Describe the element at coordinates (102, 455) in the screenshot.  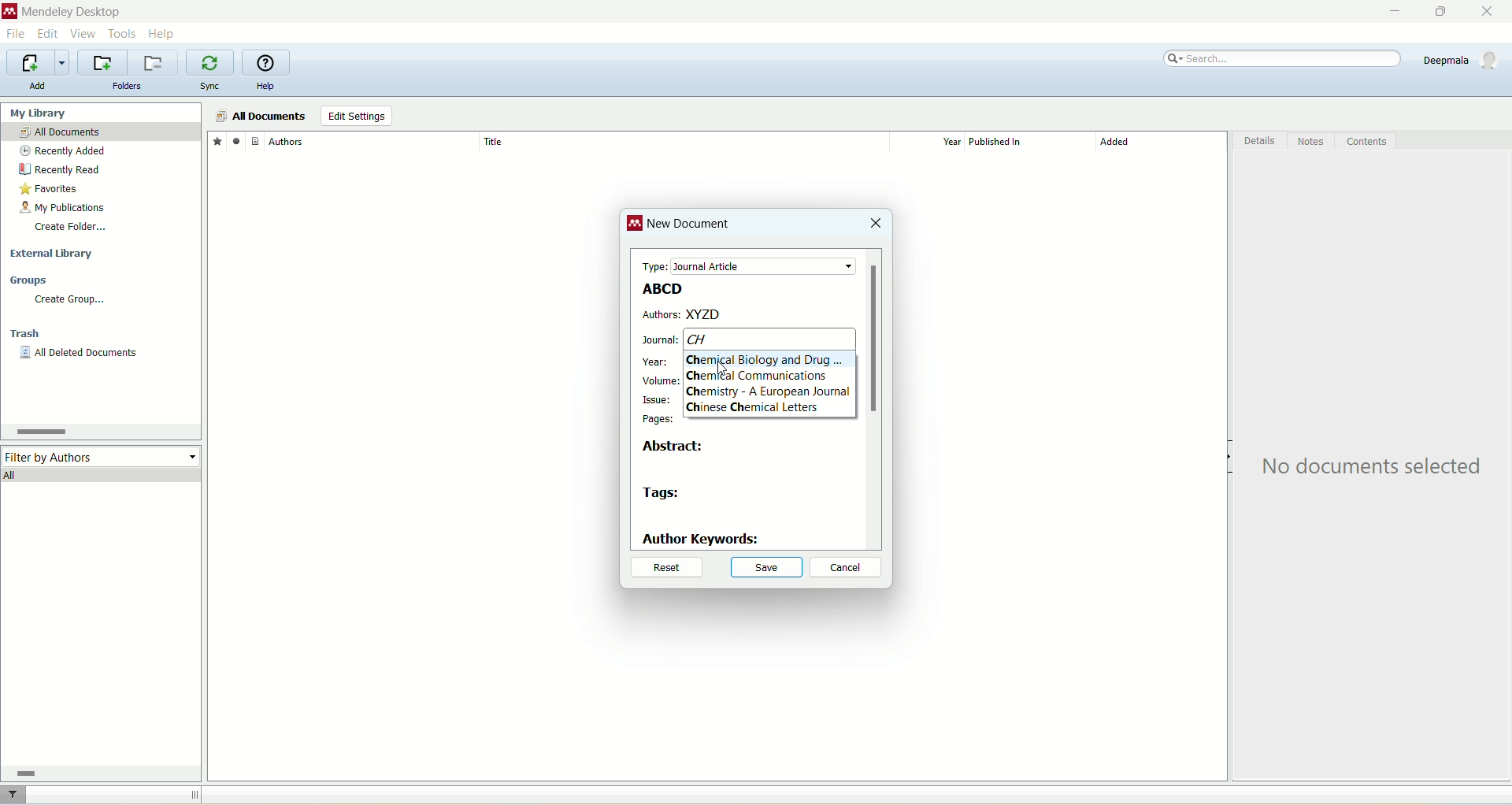
I see `filter by author` at that location.